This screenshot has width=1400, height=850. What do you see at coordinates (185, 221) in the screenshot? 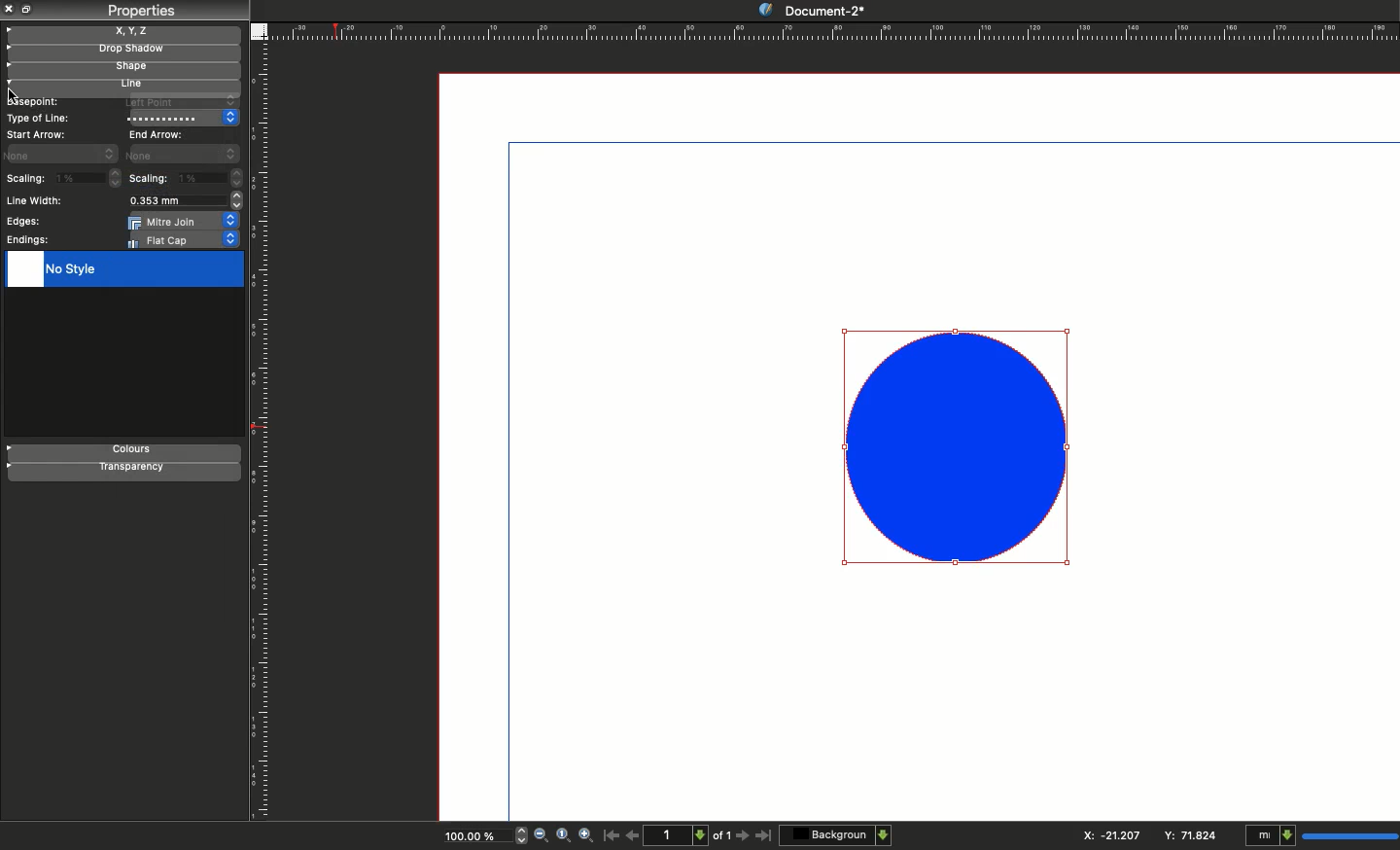
I see `Mitre join` at bounding box center [185, 221].